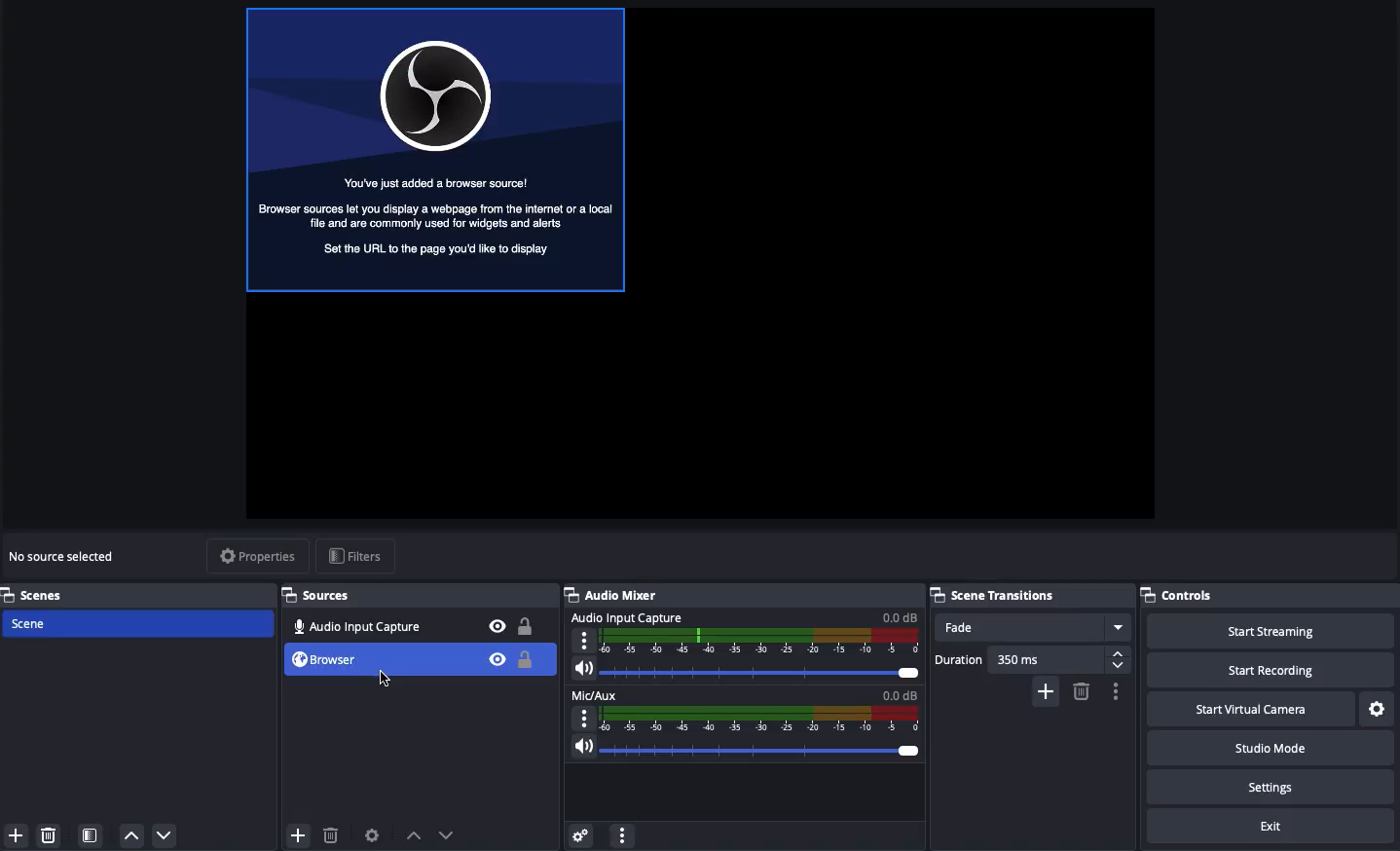 The image size is (1400, 851). Describe the element at coordinates (92, 835) in the screenshot. I see `Scene filter` at that location.